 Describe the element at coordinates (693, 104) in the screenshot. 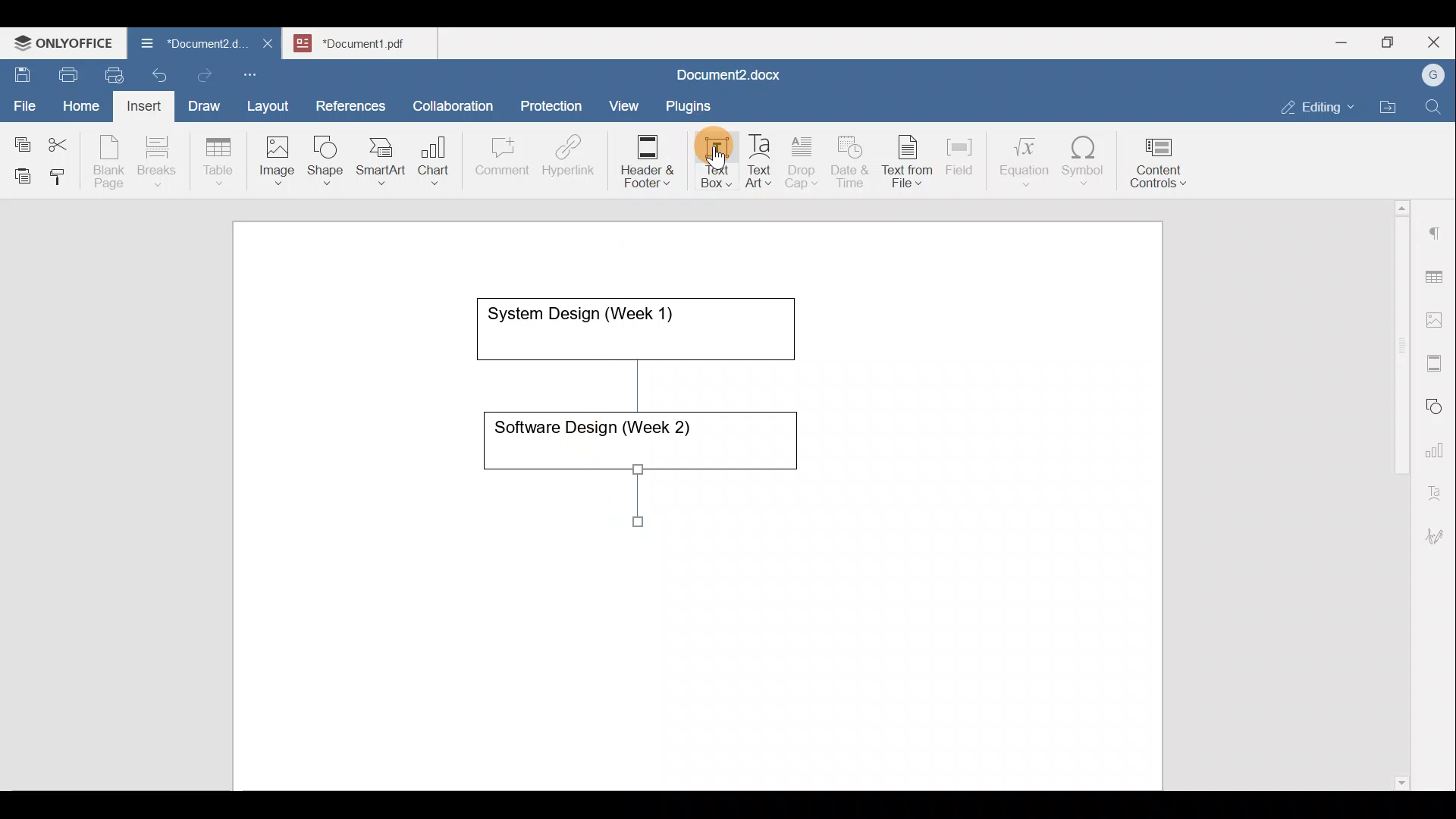

I see `Plugins` at that location.